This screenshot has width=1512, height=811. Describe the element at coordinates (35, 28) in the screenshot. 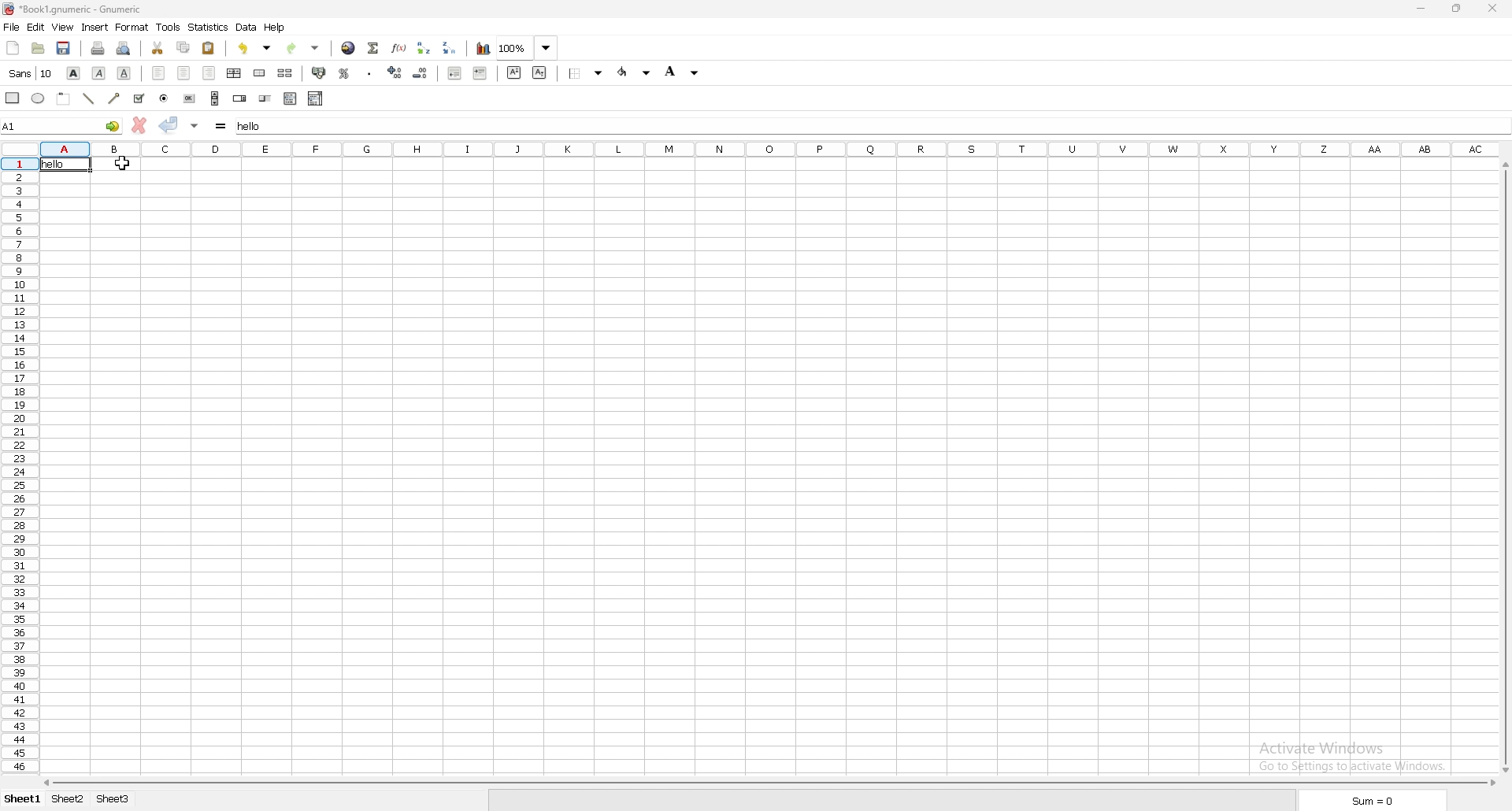

I see `edit` at that location.